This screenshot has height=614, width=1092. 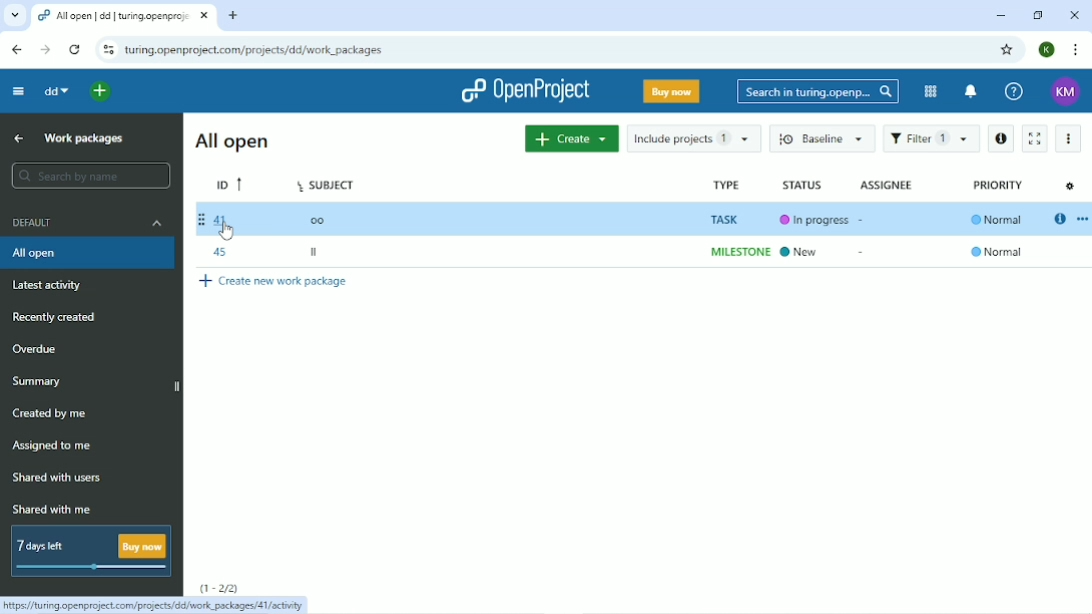 I want to click on Status, so click(x=816, y=218).